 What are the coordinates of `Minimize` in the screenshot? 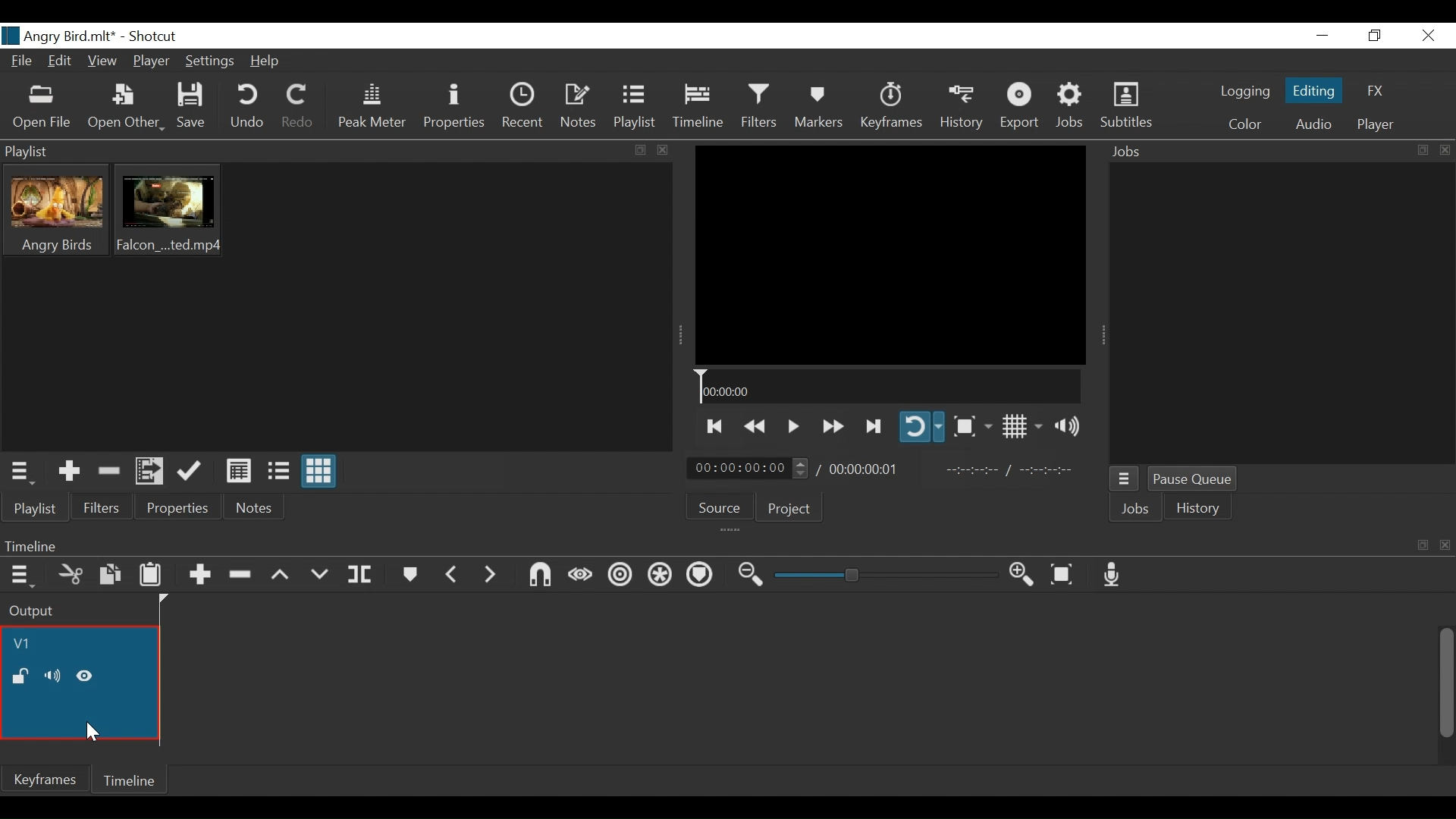 It's located at (1323, 35).